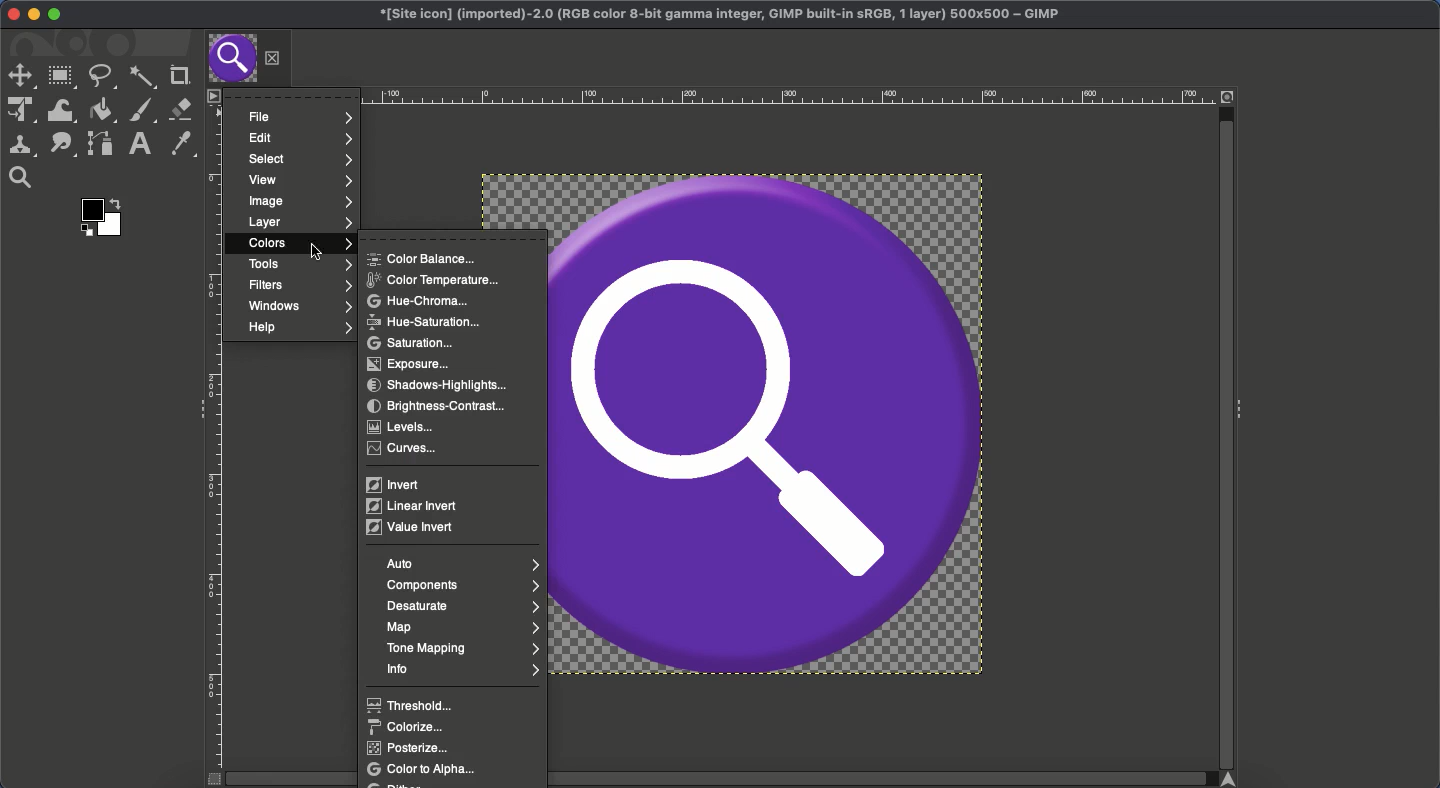 The image size is (1440, 788). I want to click on Maginfy, so click(19, 177).